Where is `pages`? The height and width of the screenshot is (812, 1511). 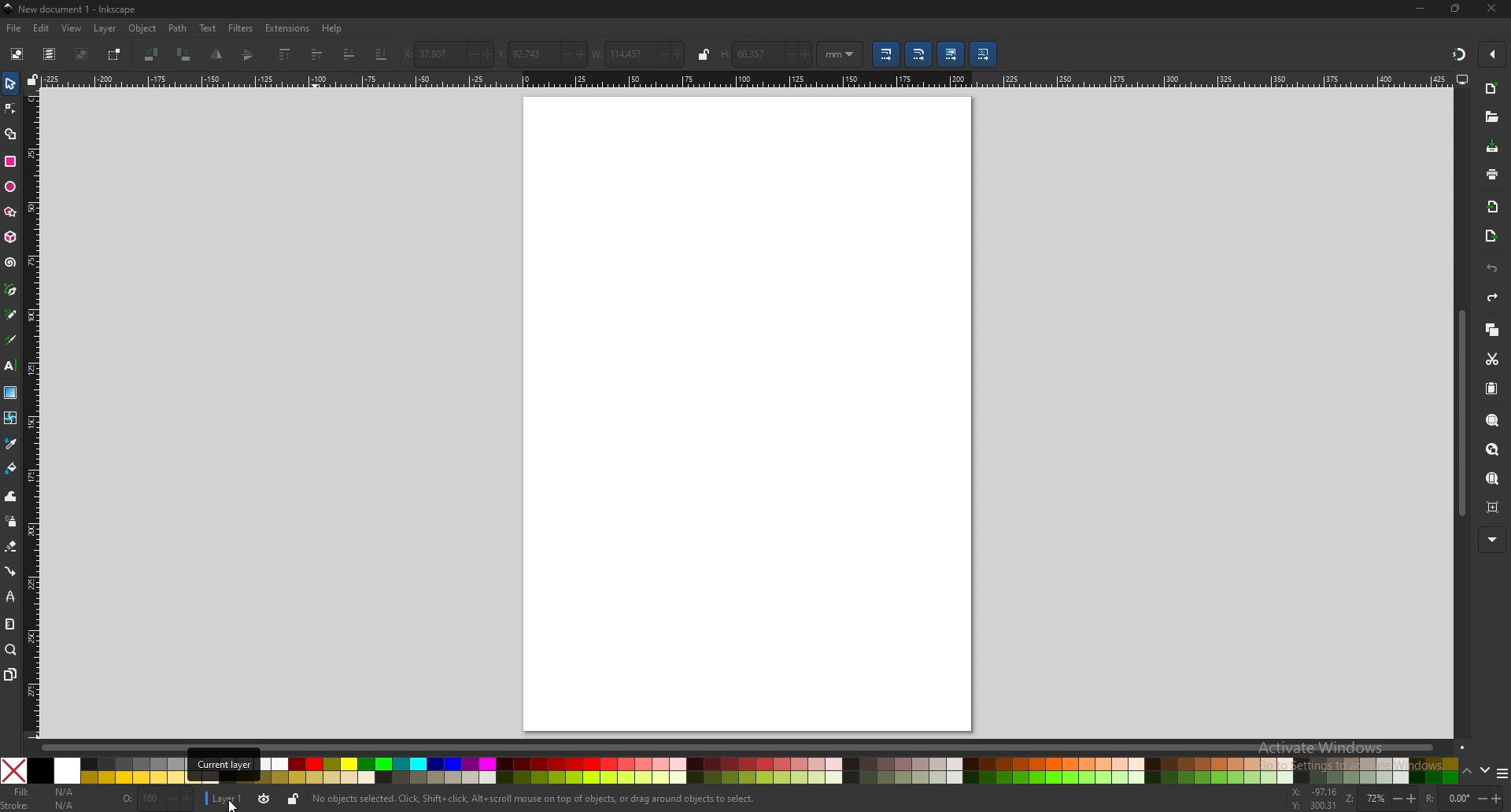
pages is located at coordinates (10, 674).